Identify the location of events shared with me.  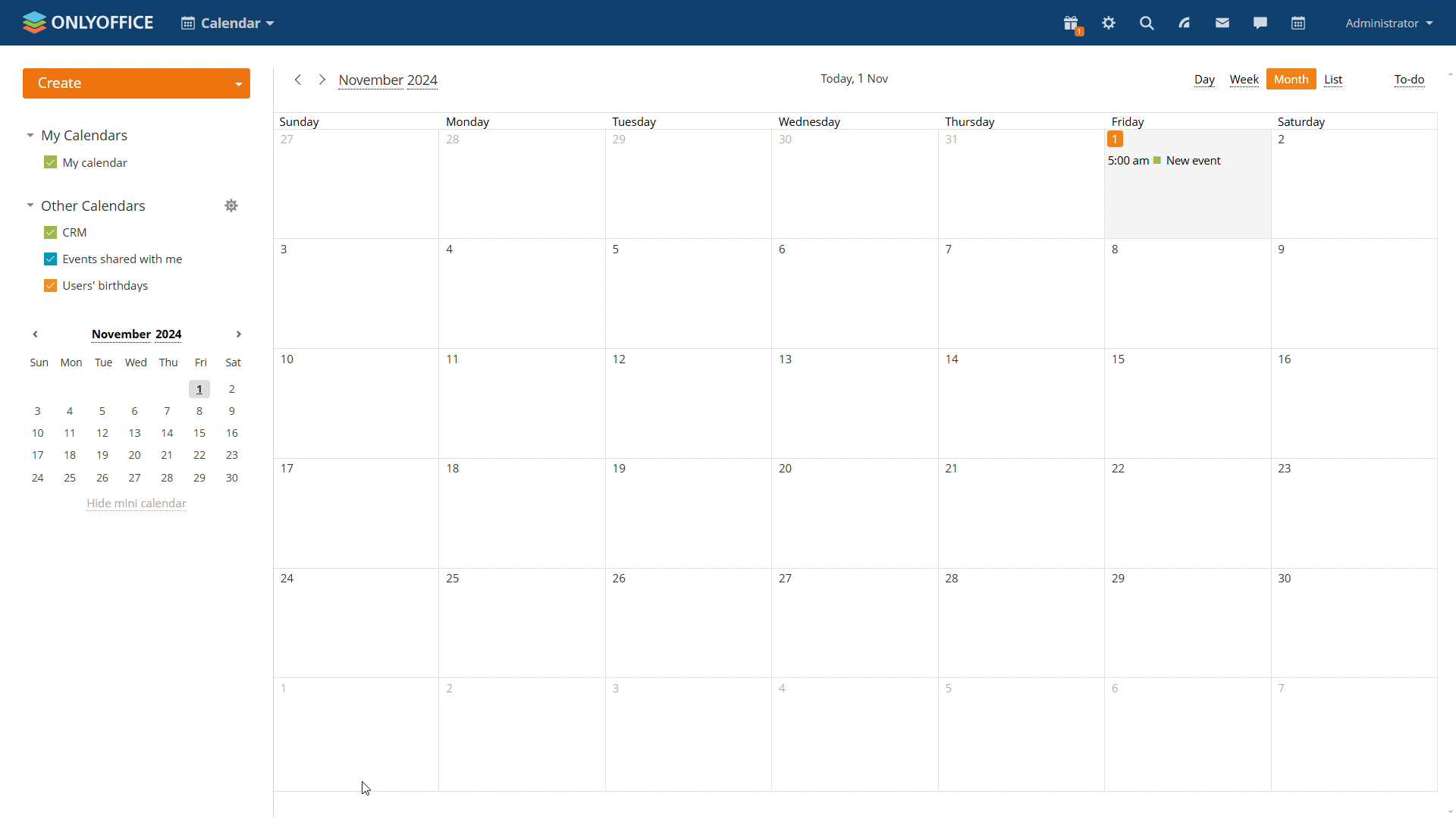
(114, 260).